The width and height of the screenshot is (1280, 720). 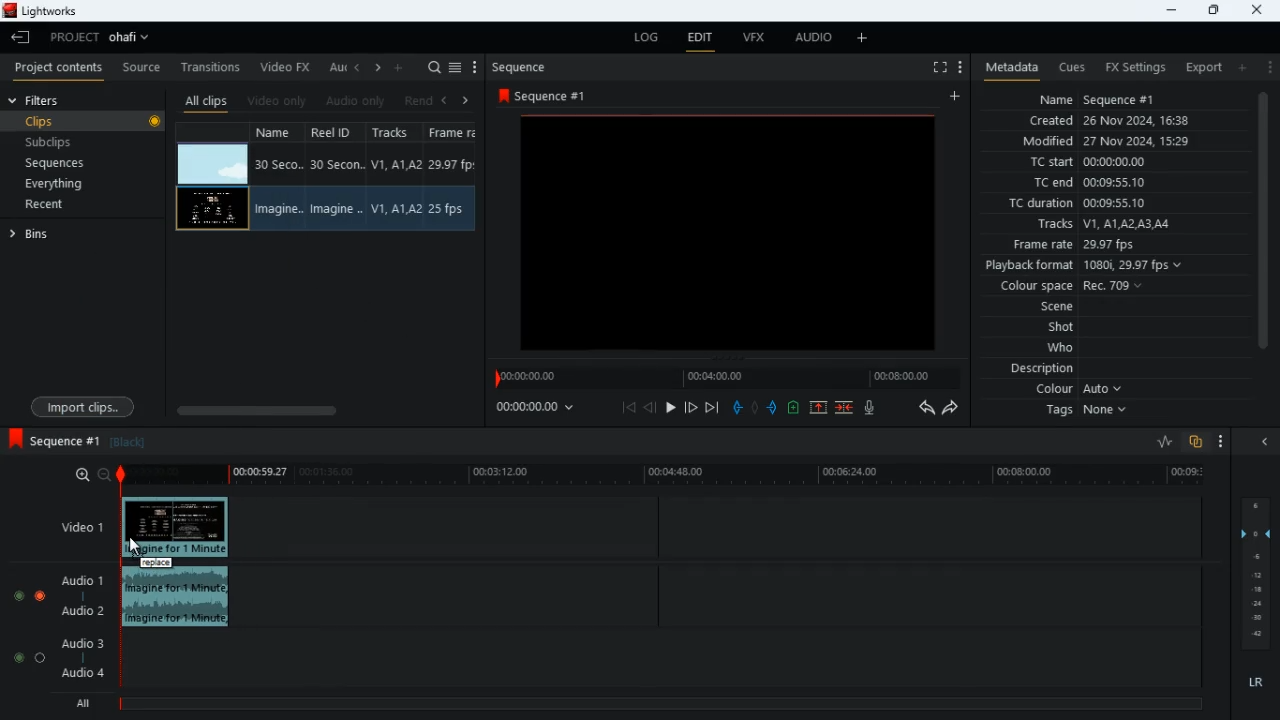 I want to click on filters, so click(x=38, y=100).